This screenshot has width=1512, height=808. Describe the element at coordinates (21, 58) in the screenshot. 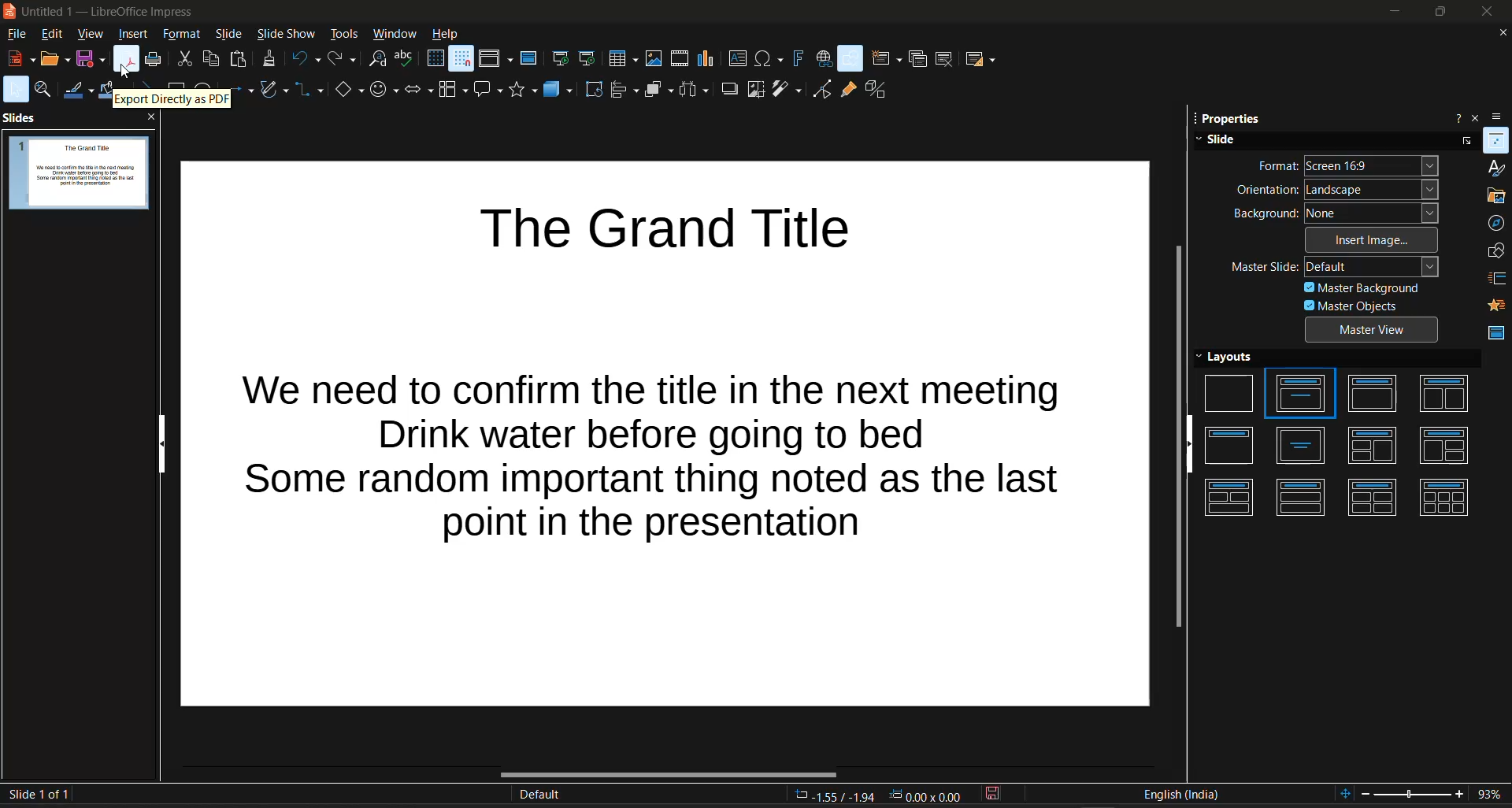

I see `new` at that location.